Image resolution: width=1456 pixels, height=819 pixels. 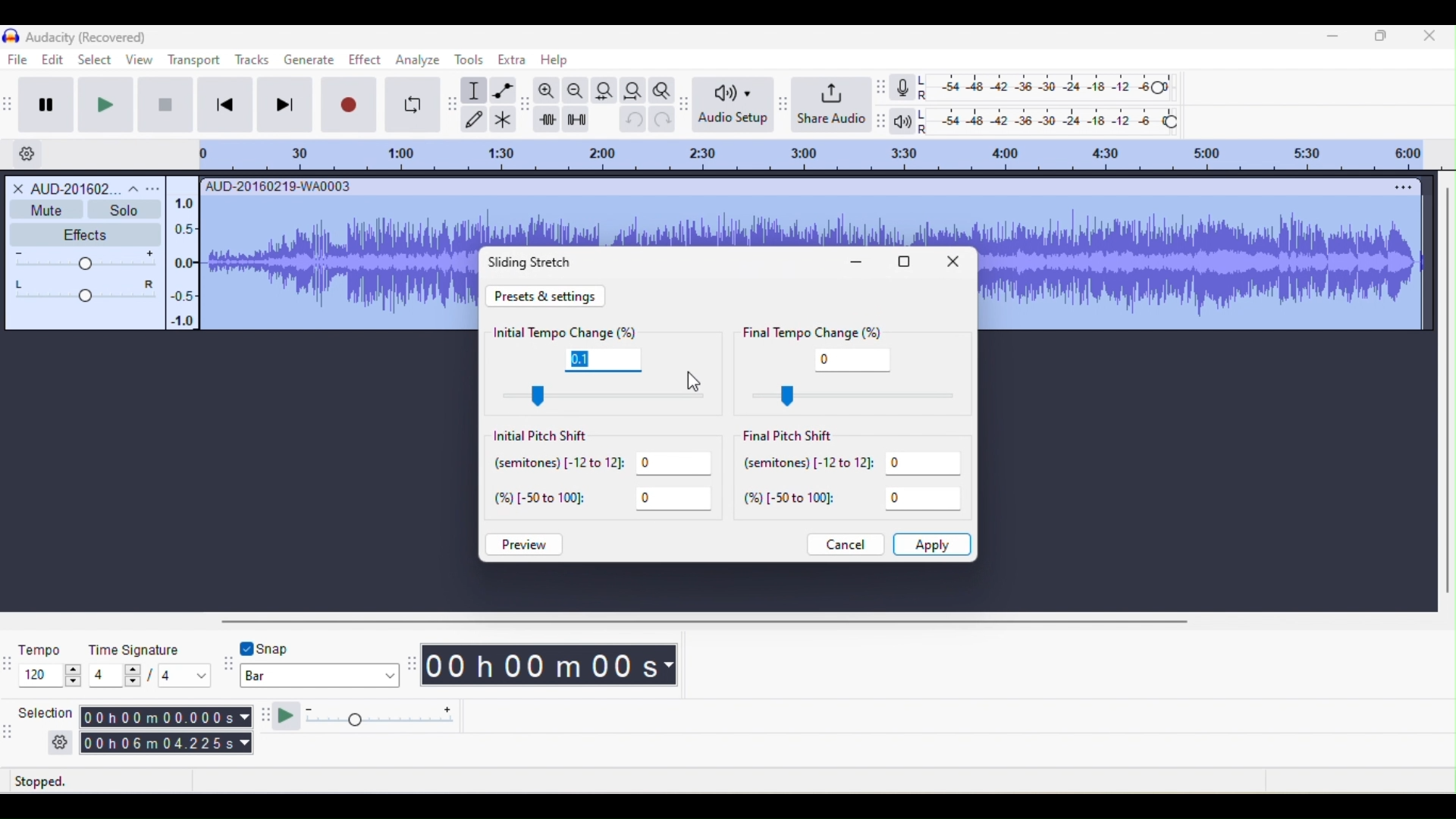 I want to click on skip to start, so click(x=227, y=106).